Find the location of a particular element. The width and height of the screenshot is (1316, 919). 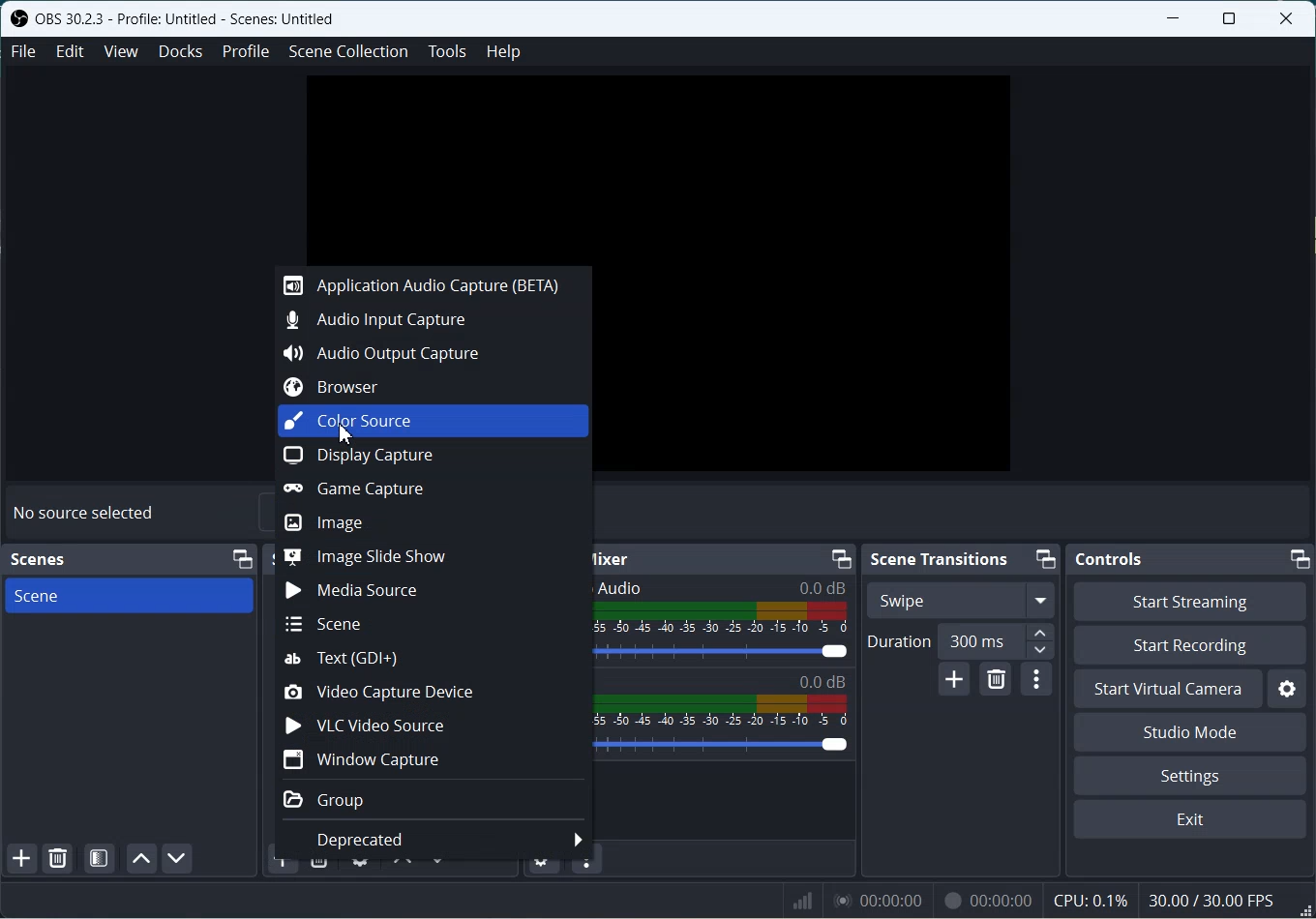

Scenes is located at coordinates (47, 560).